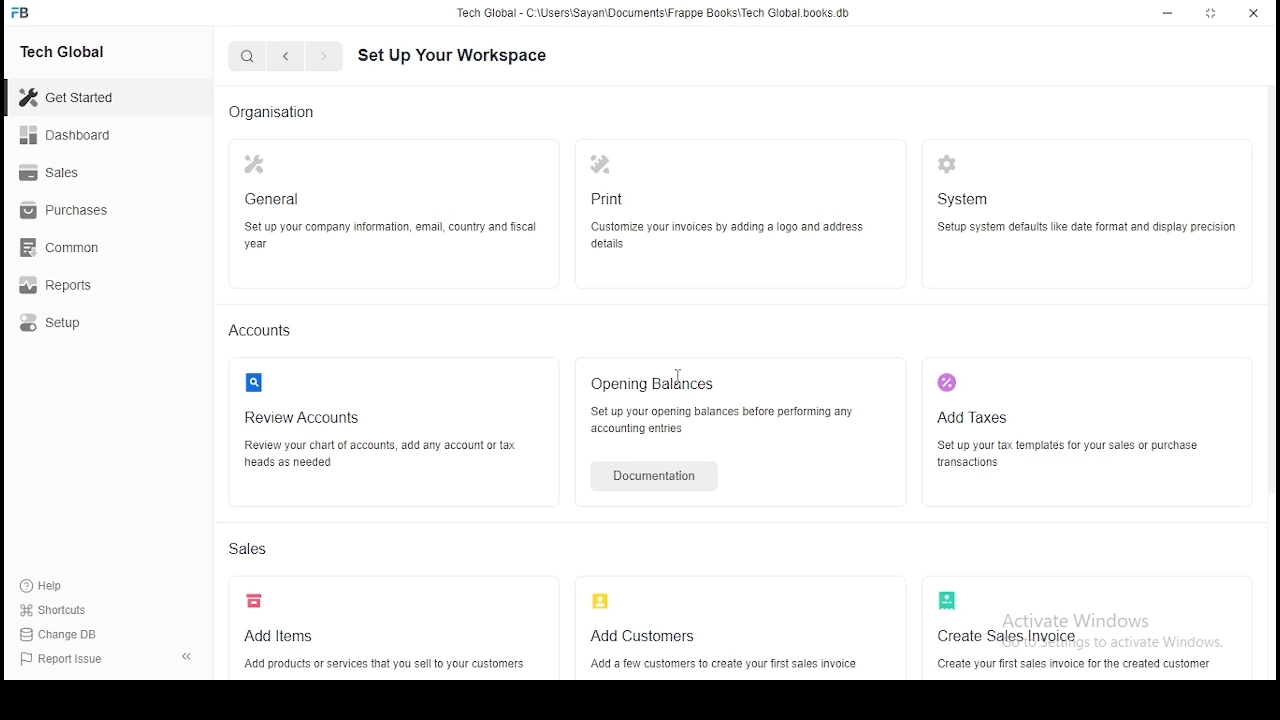  What do you see at coordinates (60, 613) in the screenshot?
I see `Shortcuts ` at bounding box center [60, 613].